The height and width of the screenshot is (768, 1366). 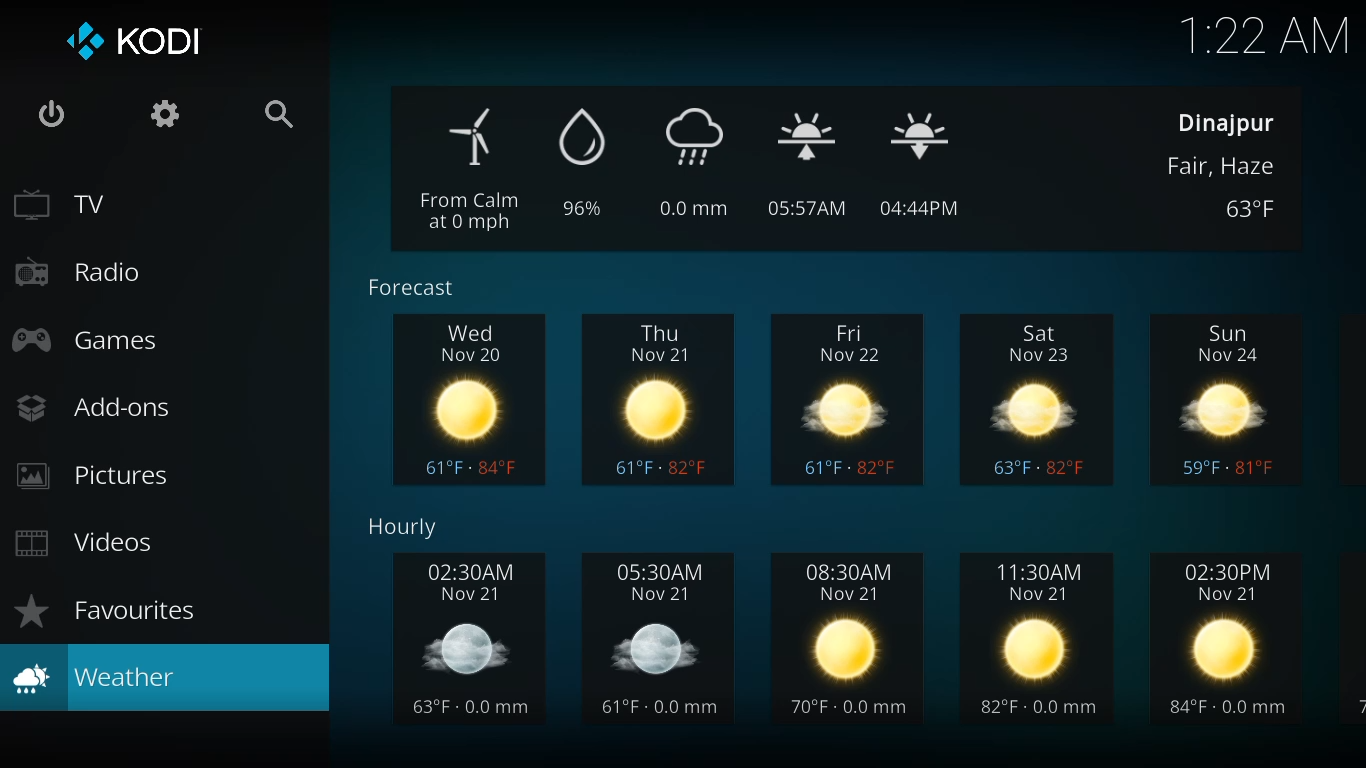 What do you see at coordinates (1232, 399) in the screenshot?
I see `sun` at bounding box center [1232, 399].